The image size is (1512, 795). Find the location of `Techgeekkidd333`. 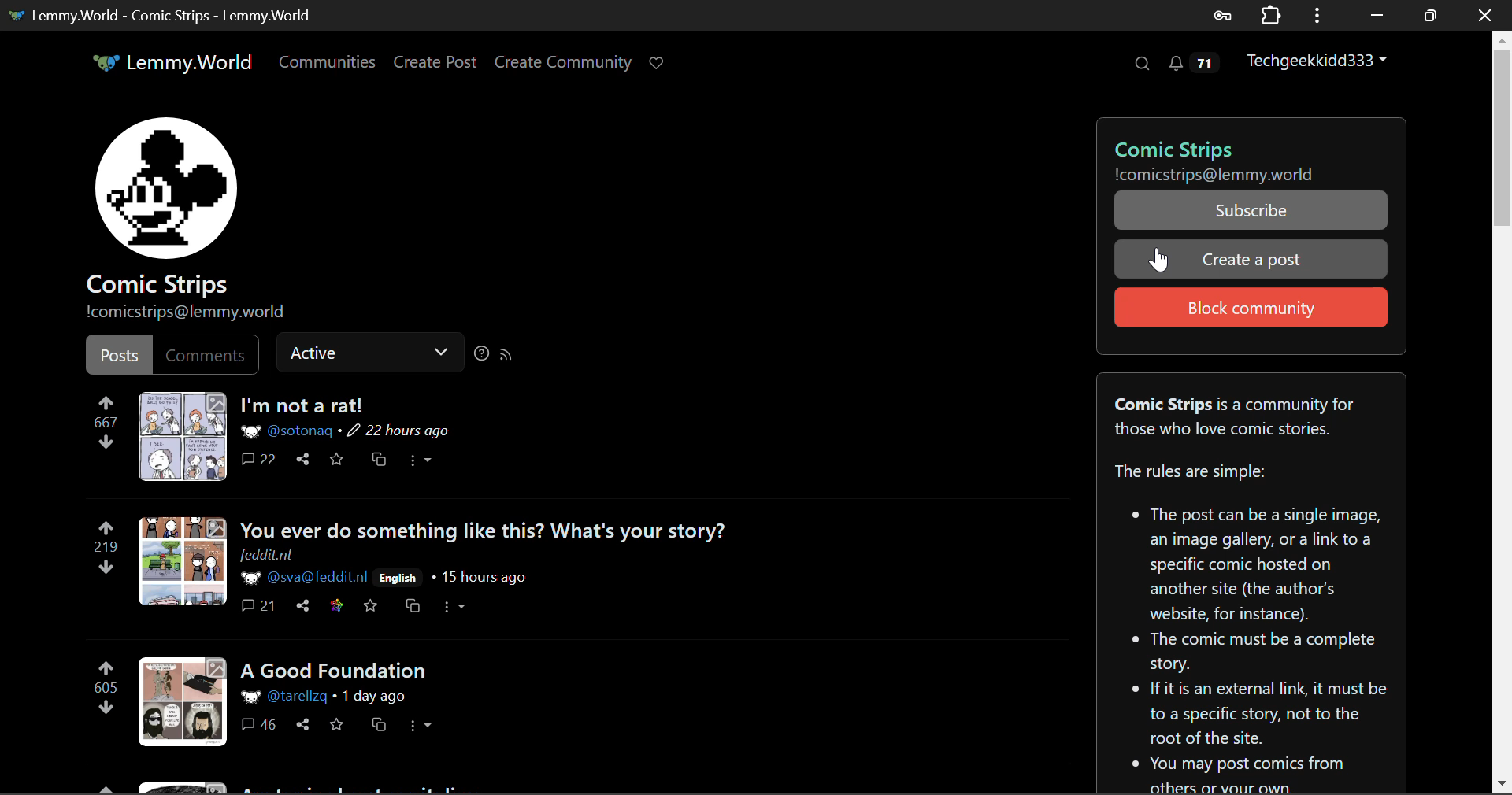

Techgeekkidd333 is located at coordinates (1314, 62).